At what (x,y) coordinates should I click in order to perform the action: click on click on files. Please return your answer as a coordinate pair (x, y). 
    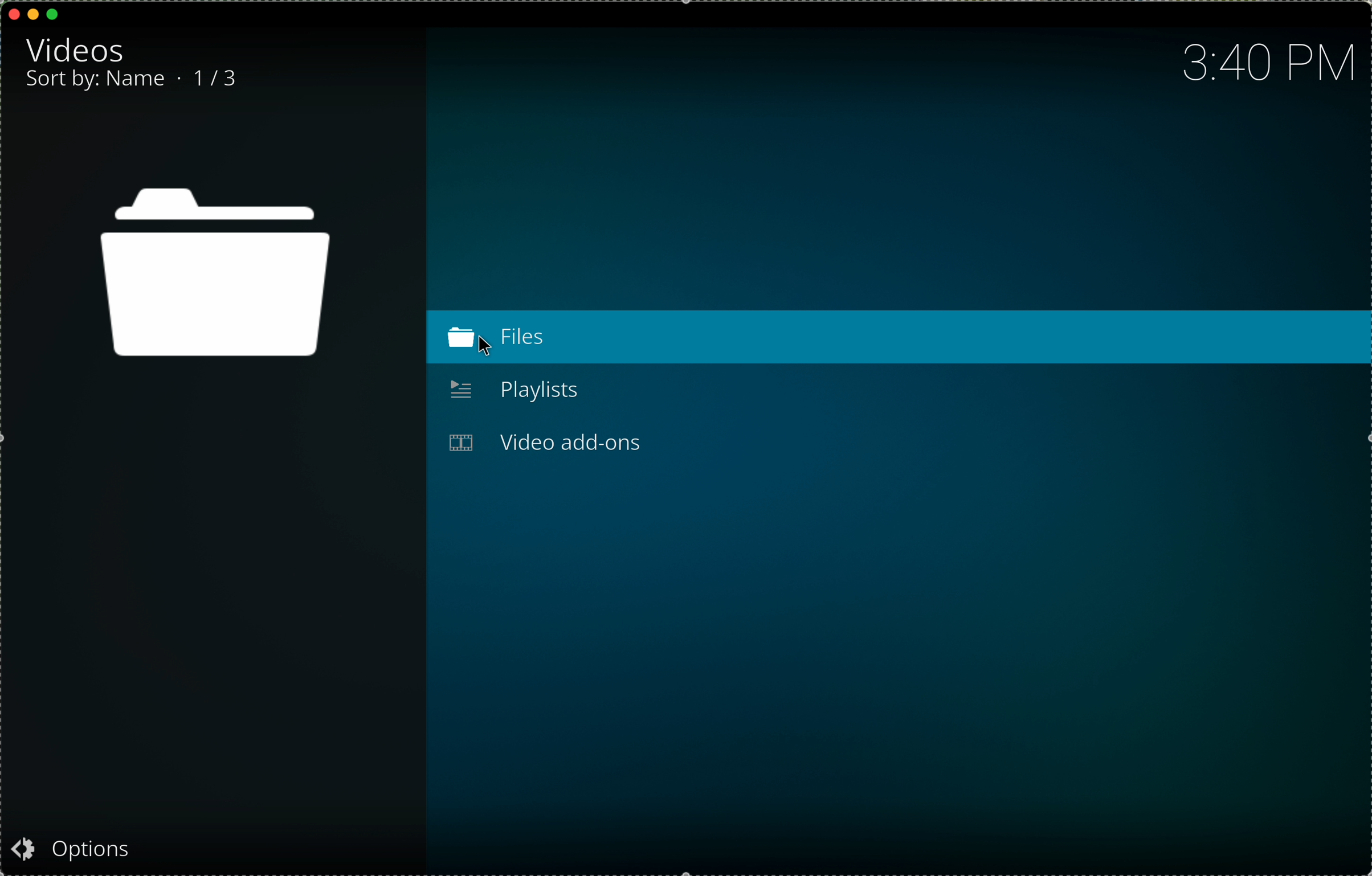
    Looking at the image, I should click on (897, 338).